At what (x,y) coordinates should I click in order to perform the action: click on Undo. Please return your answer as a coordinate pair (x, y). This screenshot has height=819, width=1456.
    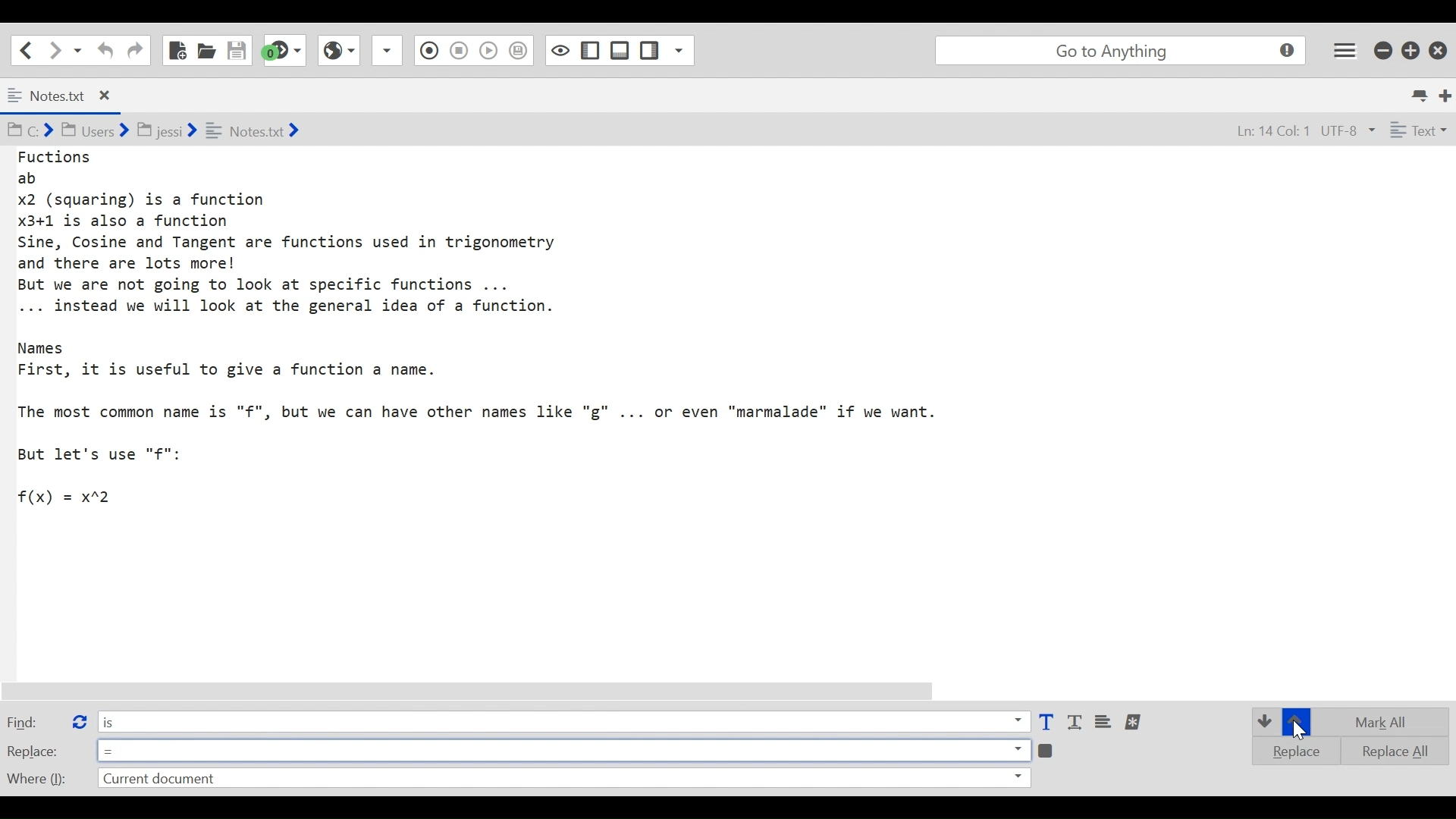
    Looking at the image, I should click on (103, 50).